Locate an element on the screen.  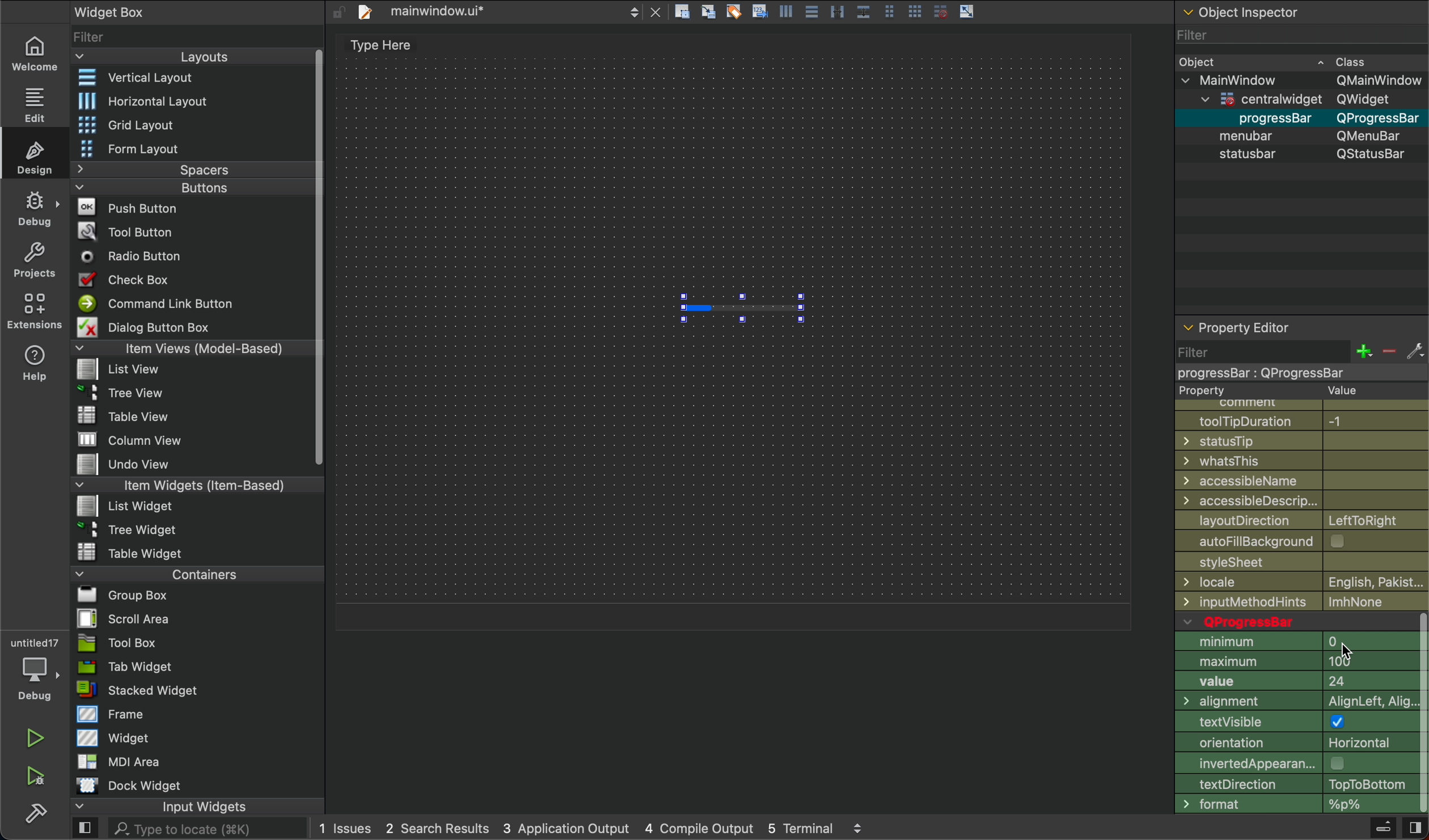
Dock WIdget is located at coordinates (129, 786).